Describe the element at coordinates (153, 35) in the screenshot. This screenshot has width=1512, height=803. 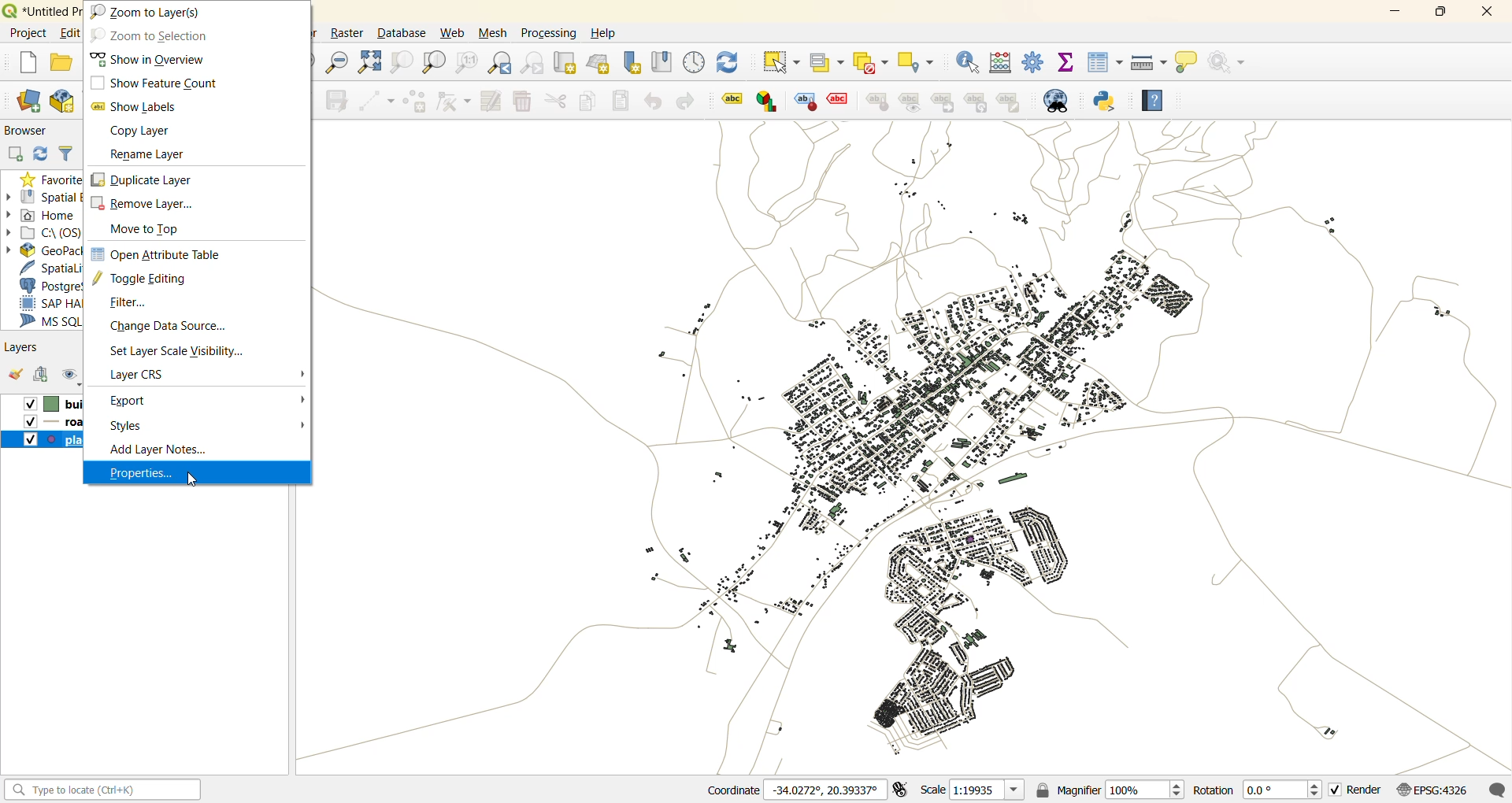
I see `zoom to selection` at that location.